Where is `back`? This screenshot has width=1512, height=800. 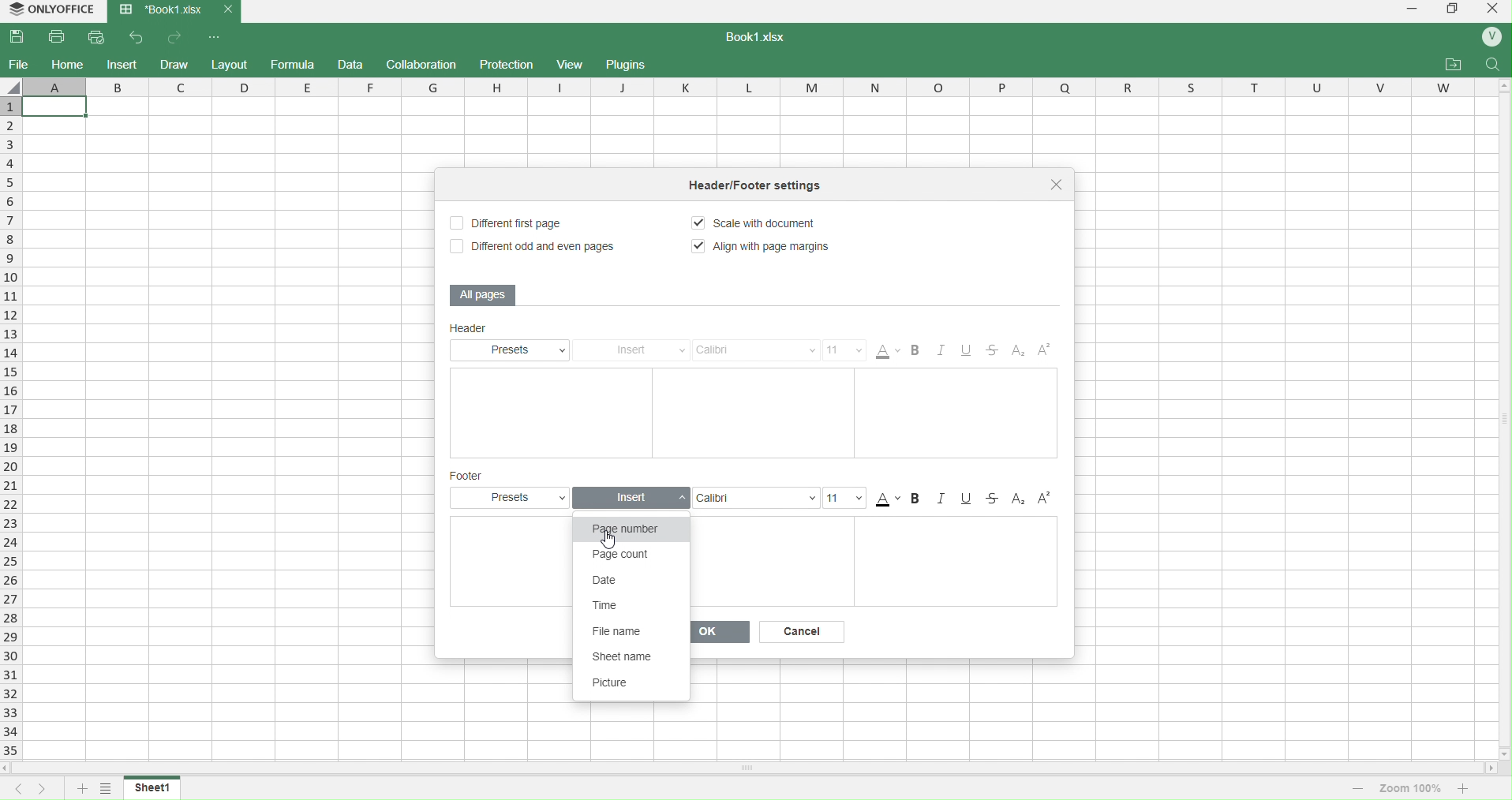 back is located at coordinates (137, 36).